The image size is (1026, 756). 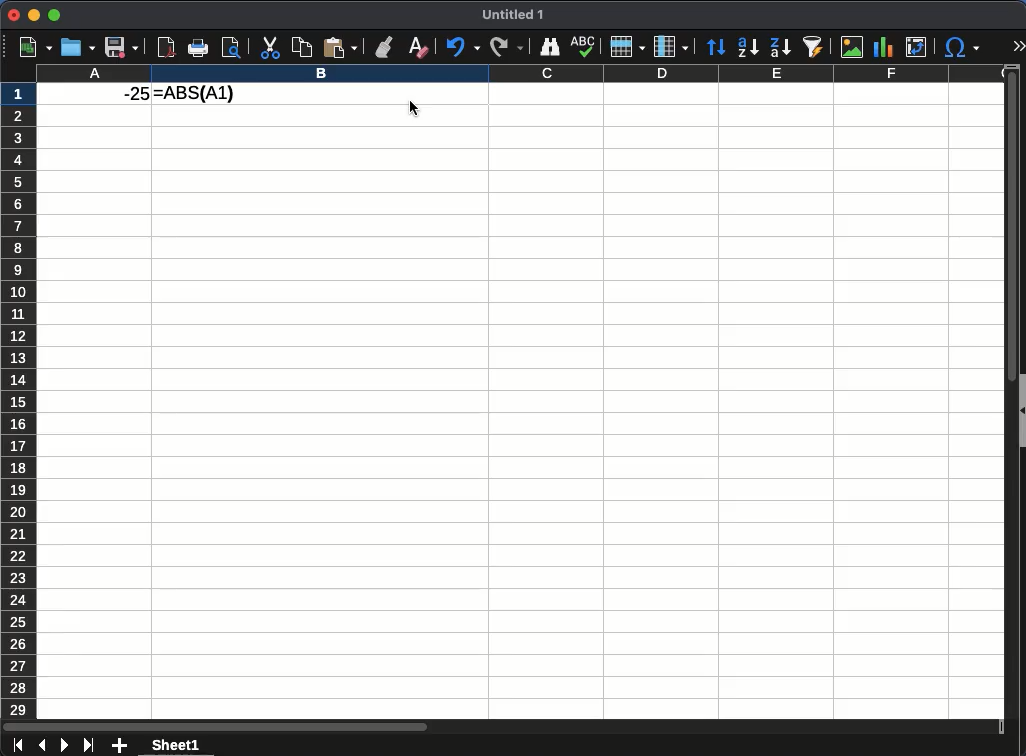 What do you see at coordinates (512, 15) in the screenshot?
I see `untitled 1` at bounding box center [512, 15].